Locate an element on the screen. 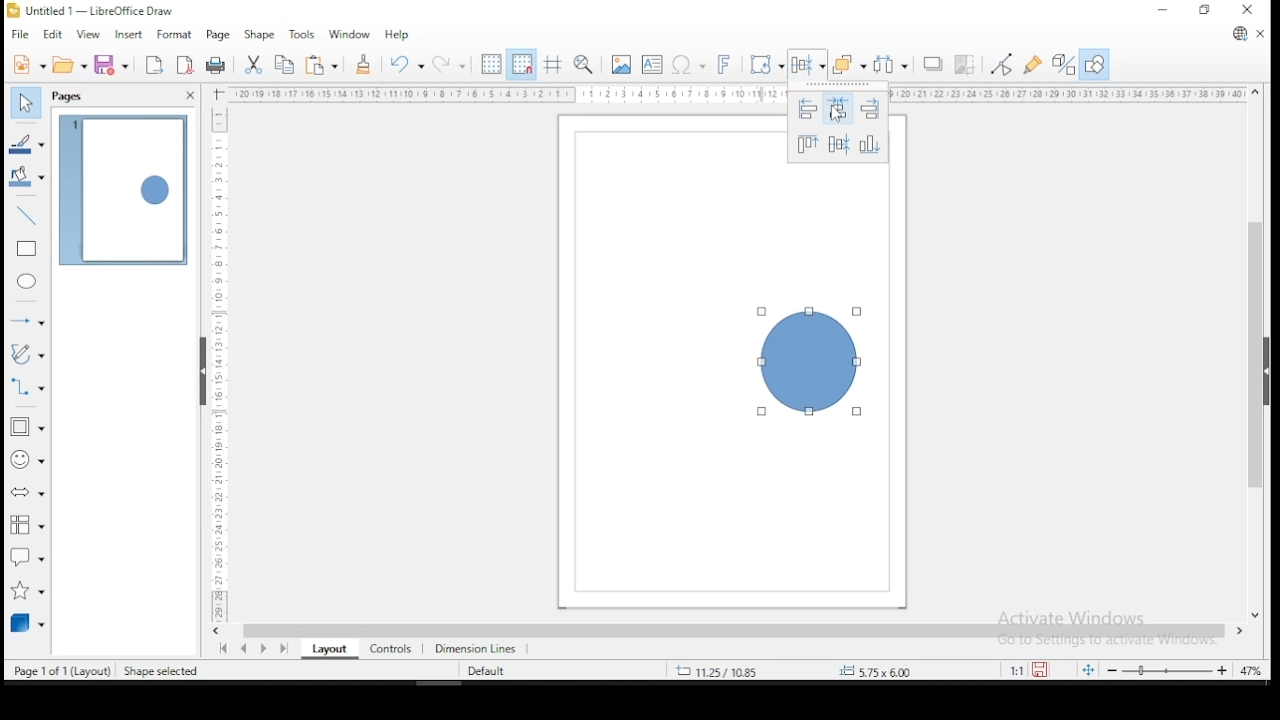 This screenshot has height=720, width=1280. shape is located at coordinates (258, 36).